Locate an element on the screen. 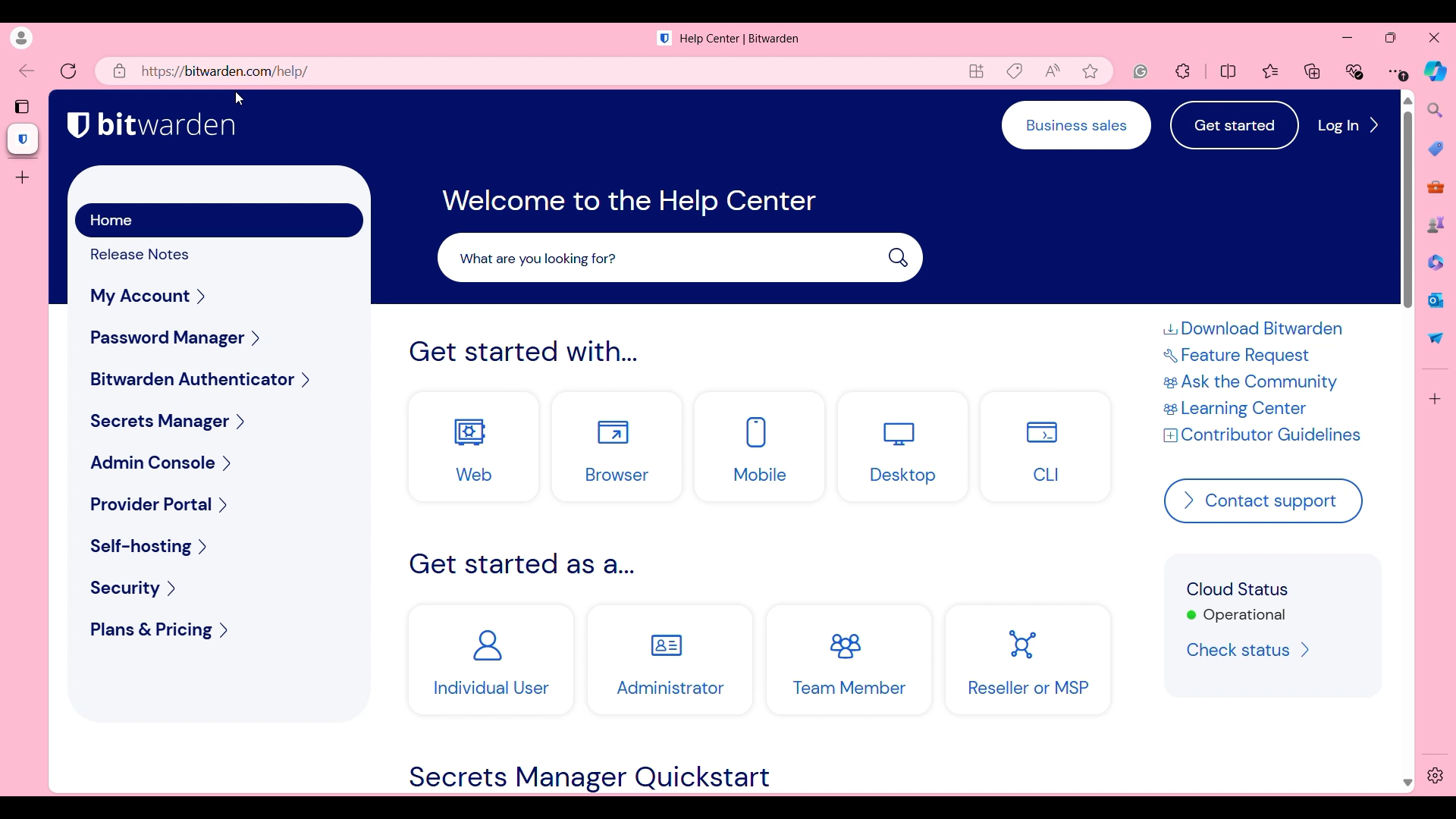 This screenshot has width=1456, height=819. Login is located at coordinates (1348, 125).